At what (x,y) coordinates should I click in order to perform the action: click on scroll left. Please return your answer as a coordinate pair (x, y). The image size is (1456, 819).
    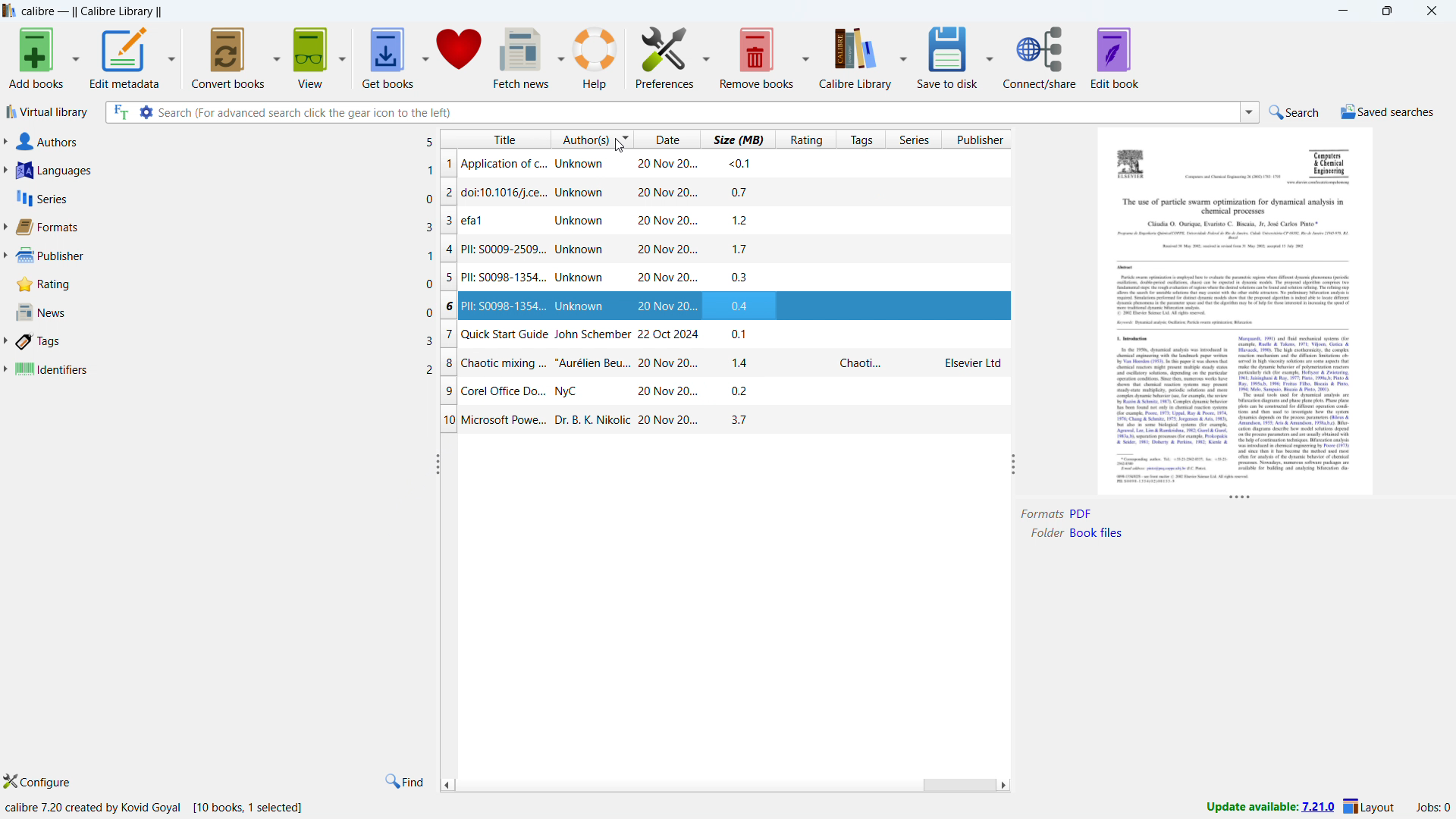
    Looking at the image, I should click on (447, 783).